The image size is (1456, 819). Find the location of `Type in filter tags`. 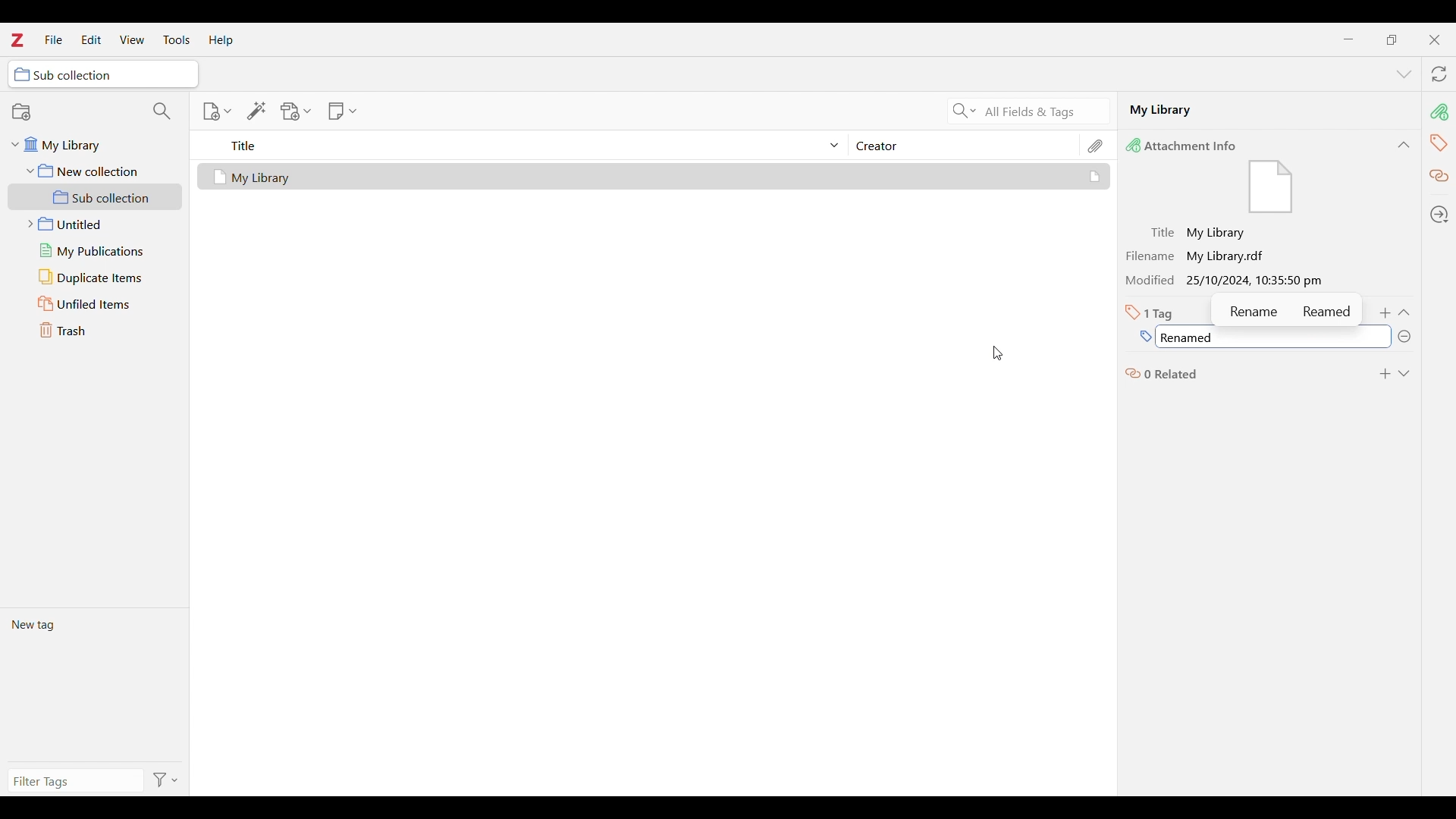

Type in filter tags is located at coordinates (73, 783).